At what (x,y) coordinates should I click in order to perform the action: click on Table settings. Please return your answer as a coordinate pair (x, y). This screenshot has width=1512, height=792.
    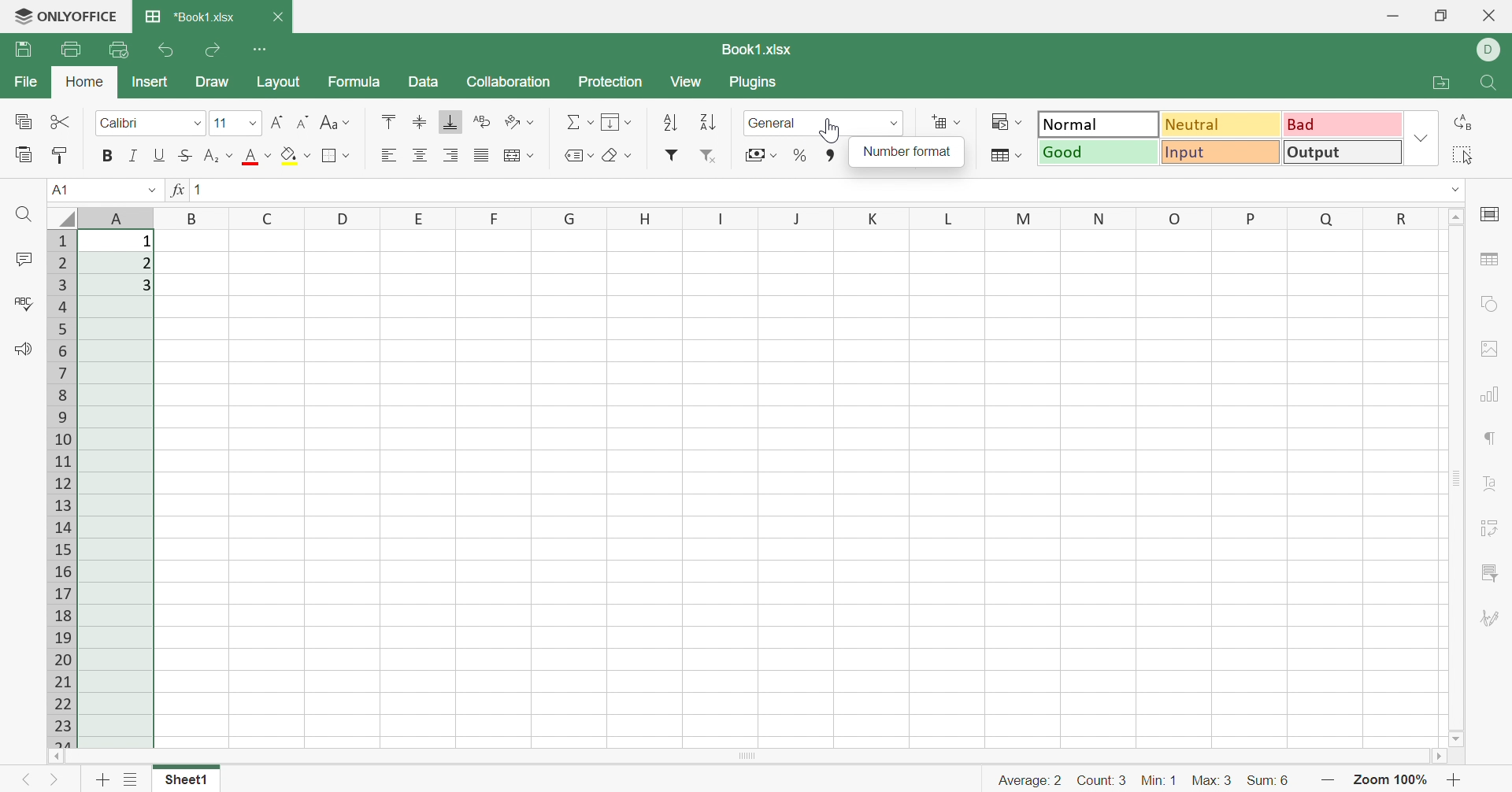
    Looking at the image, I should click on (1492, 261).